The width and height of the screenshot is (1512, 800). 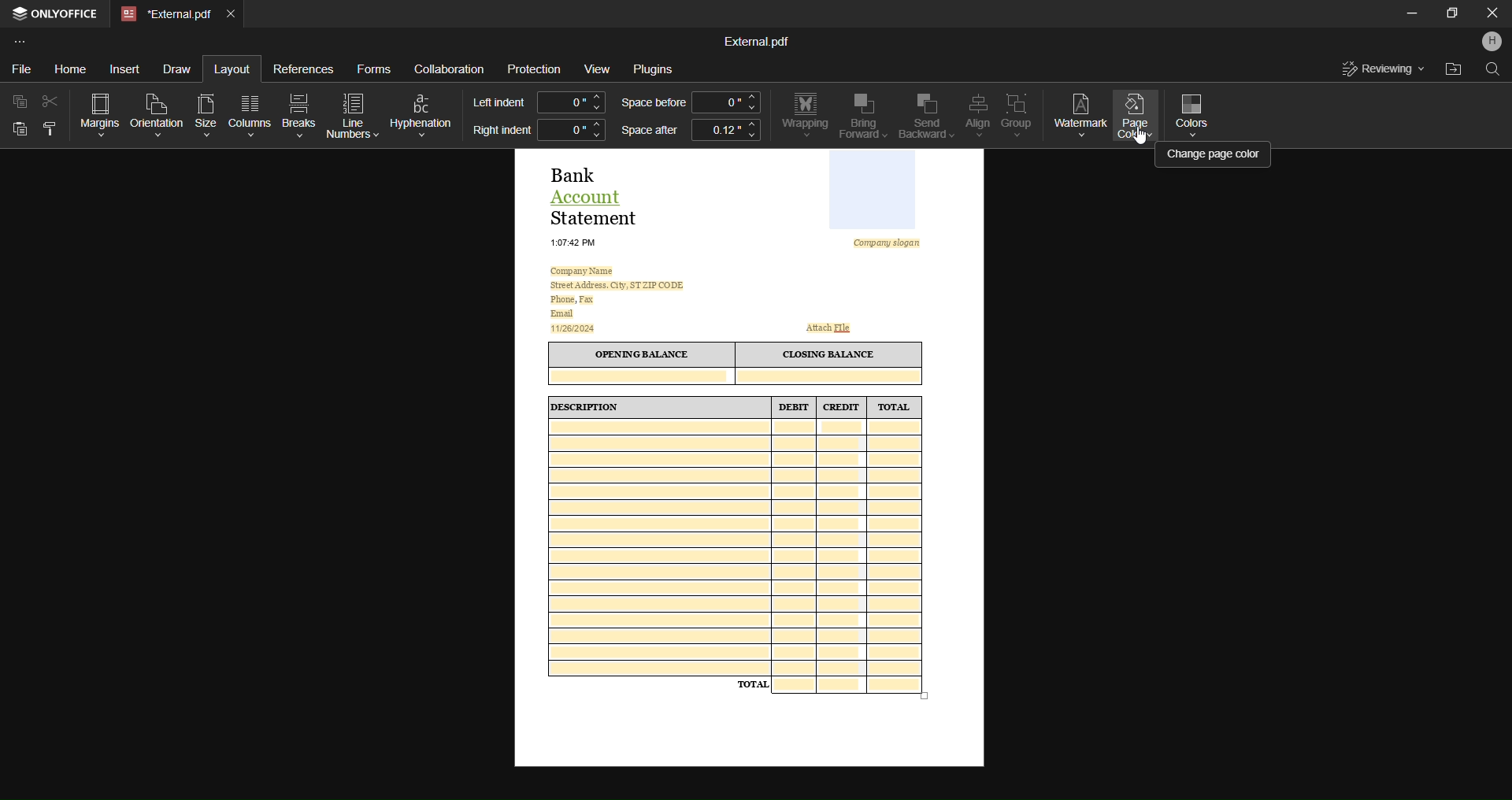 I want to click on Layout, so click(x=231, y=68).